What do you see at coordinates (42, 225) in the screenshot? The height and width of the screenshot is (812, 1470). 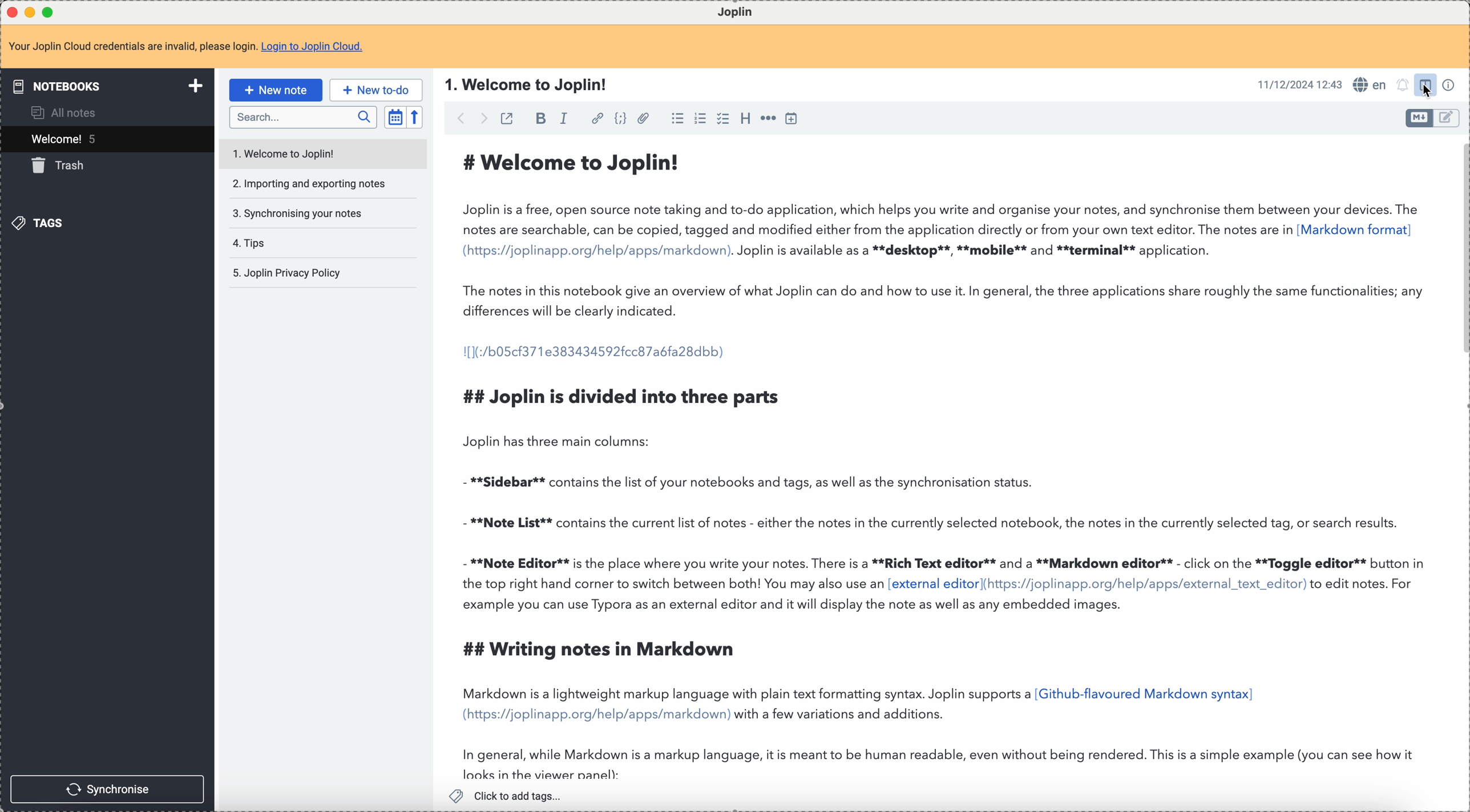 I see `tags` at bounding box center [42, 225].